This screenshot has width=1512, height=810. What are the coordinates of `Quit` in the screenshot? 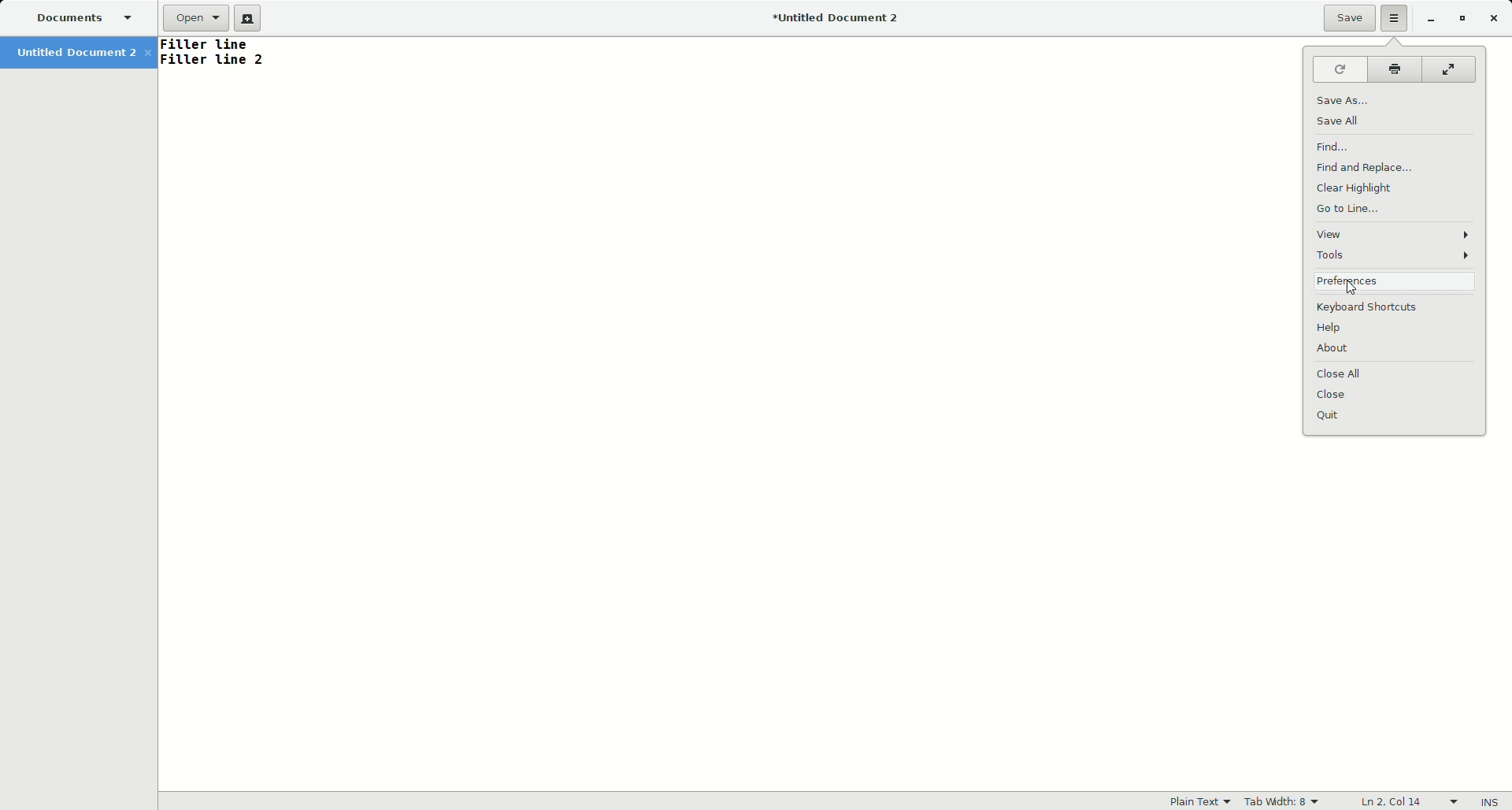 It's located at (1395, 417).